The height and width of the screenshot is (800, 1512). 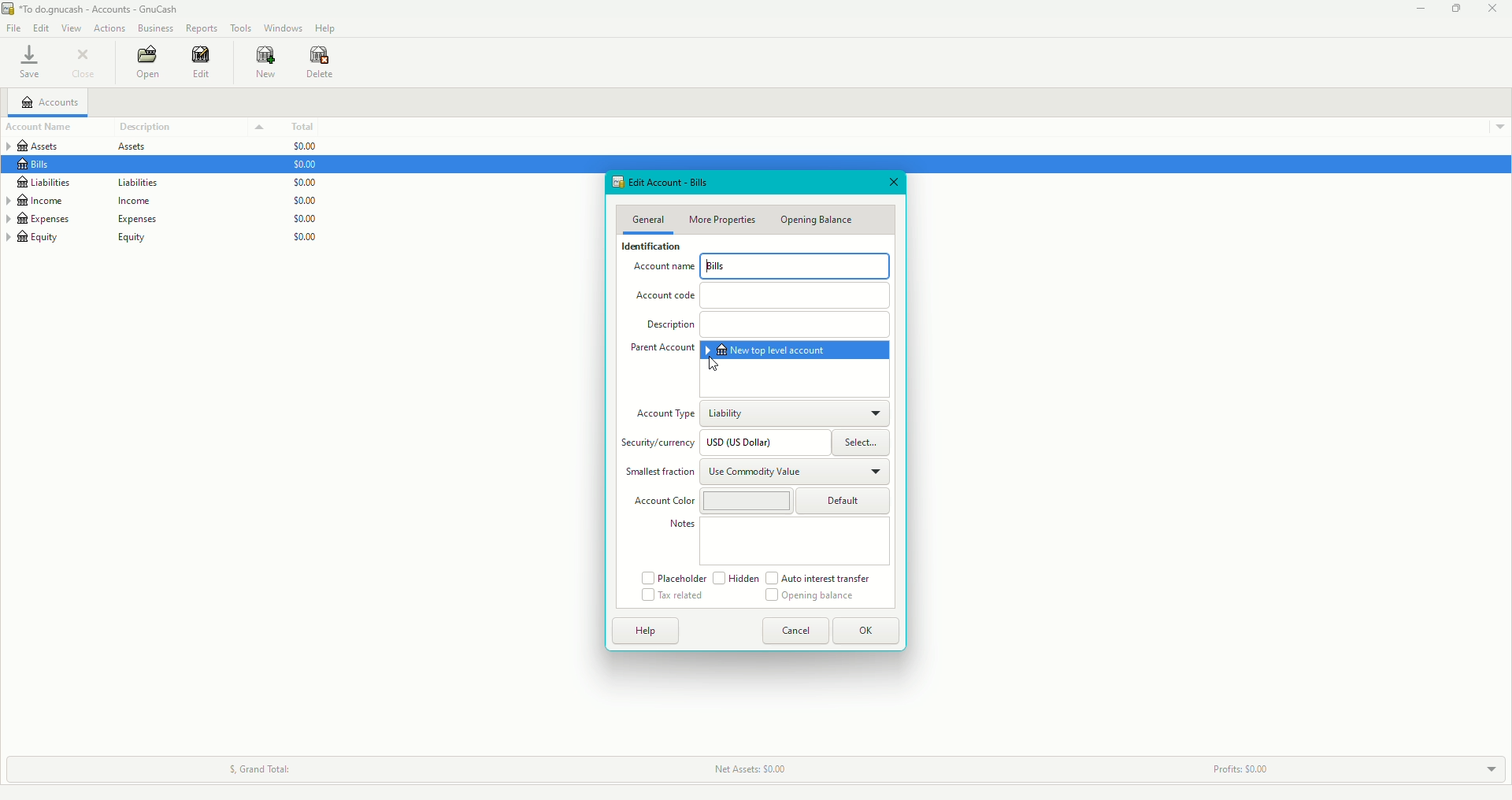 I want to click on Delete, so click(x=321, y=65).